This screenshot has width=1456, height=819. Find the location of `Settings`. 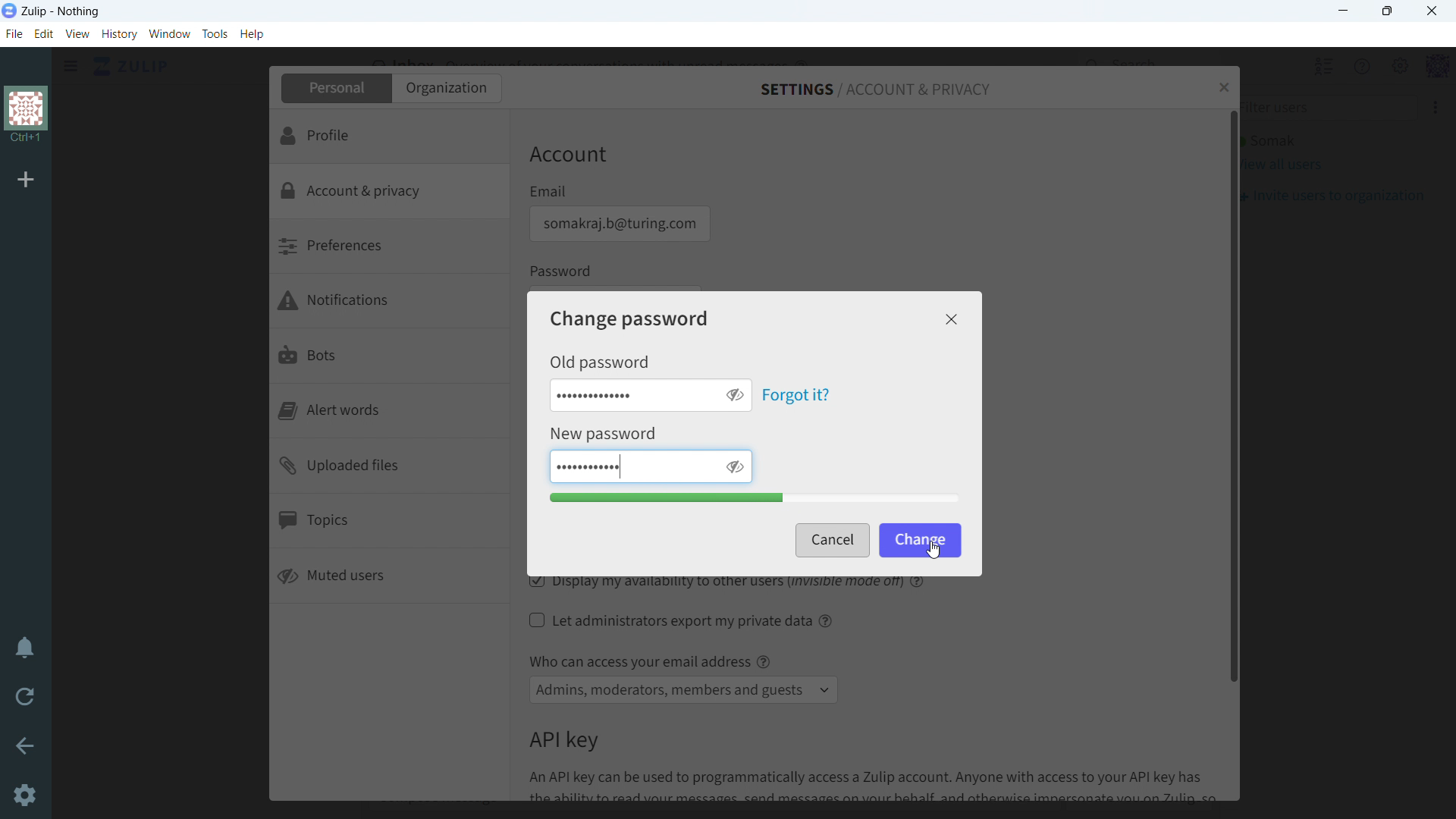

Settings is located at coordinates (26, 795).